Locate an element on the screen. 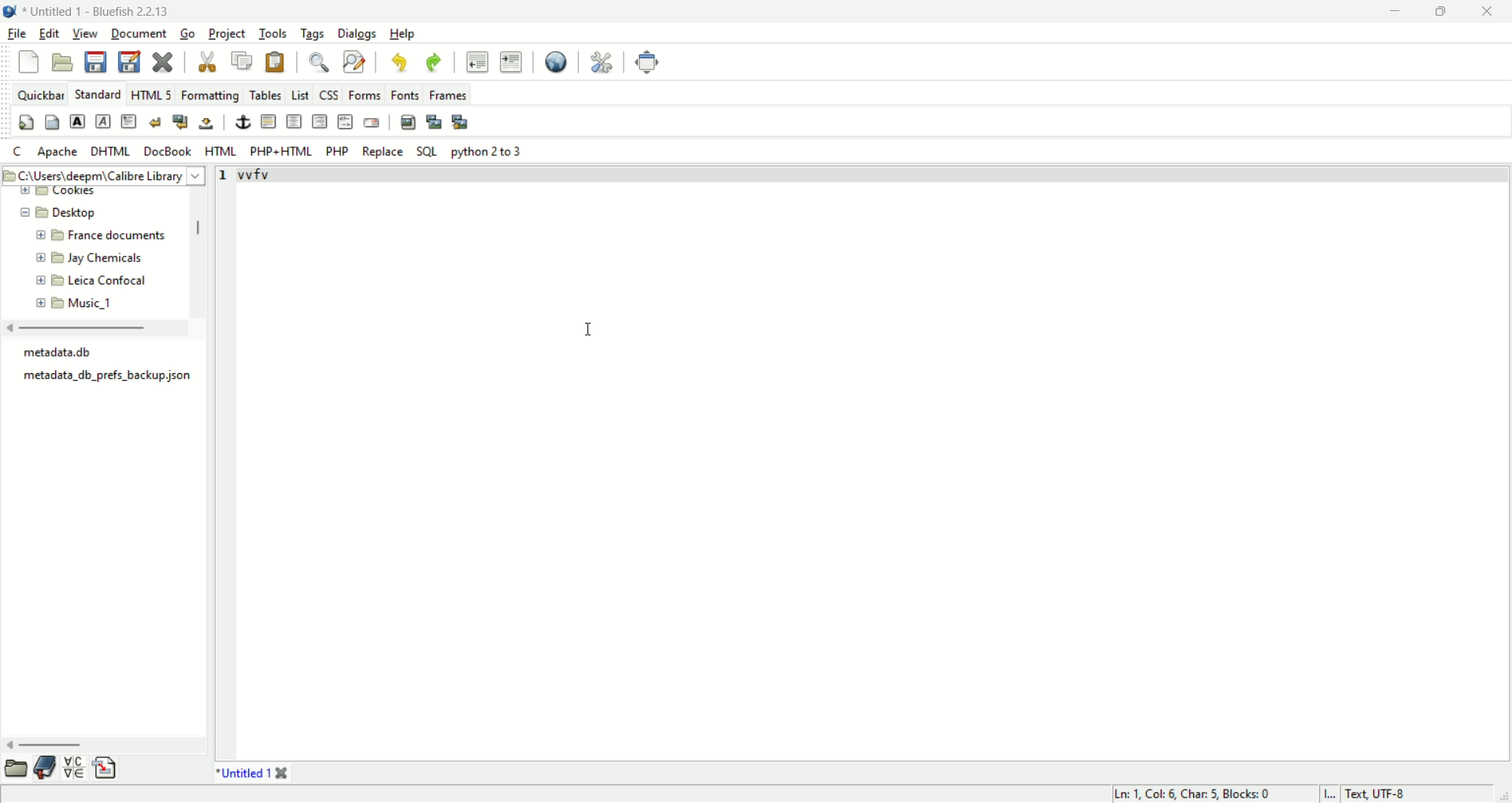 This screenshot has height=803, width=1512. save as is located at coordinates (132, 61).